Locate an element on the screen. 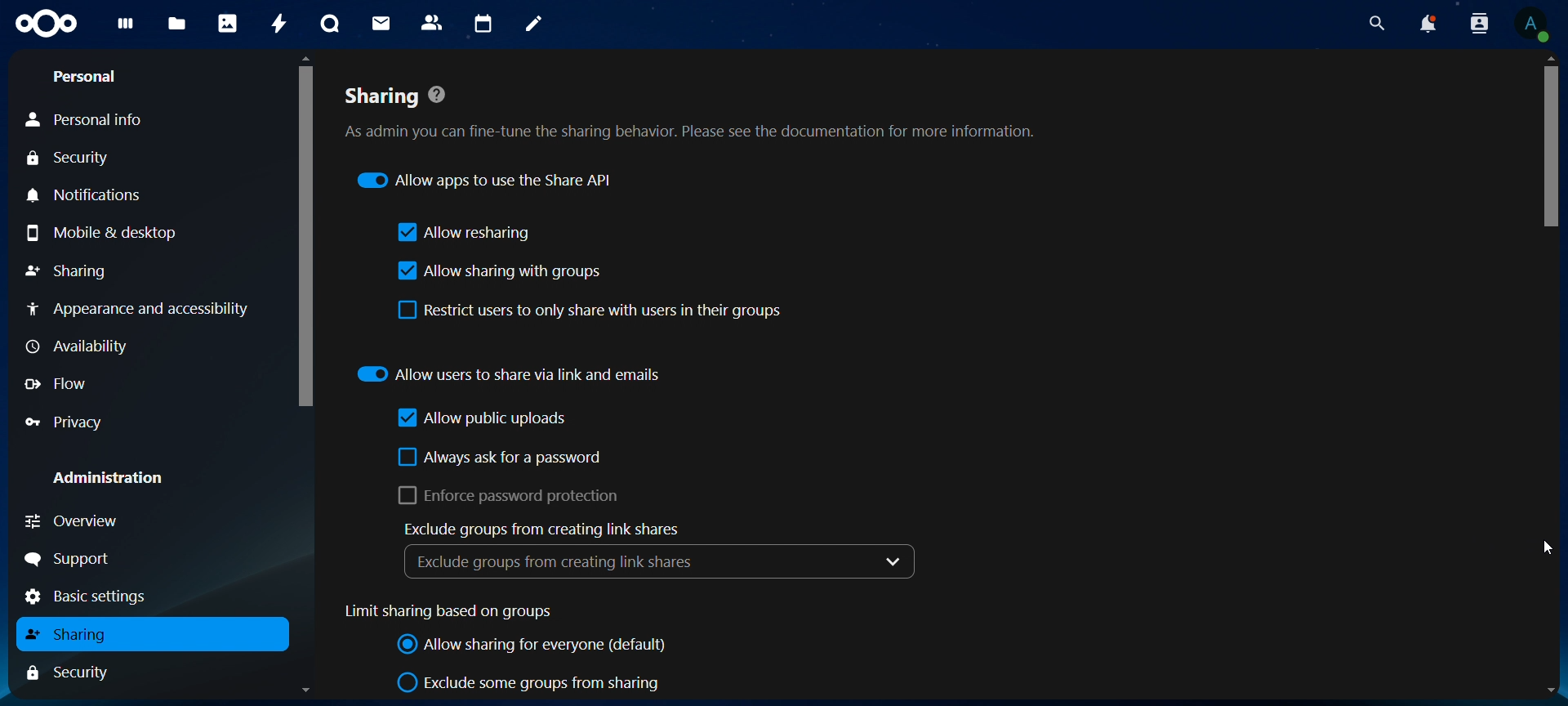 This screenshot has height=706, width=1568. files is located at coordinates (178, 22).